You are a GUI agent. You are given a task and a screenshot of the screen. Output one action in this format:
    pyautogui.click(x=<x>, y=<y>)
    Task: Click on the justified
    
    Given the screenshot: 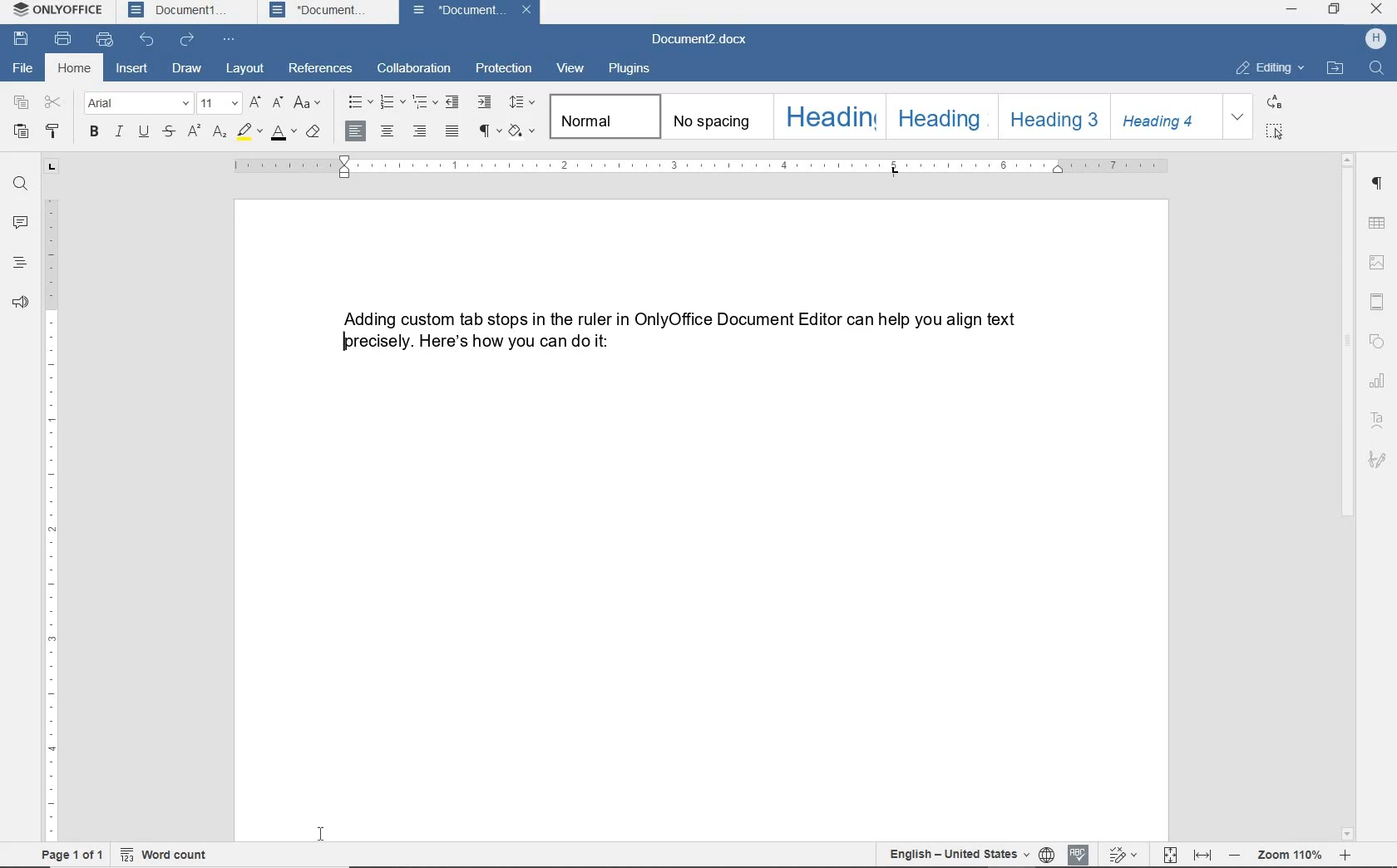 What is the action you would take?
    pyautogui.click(x=450, y=131)
    